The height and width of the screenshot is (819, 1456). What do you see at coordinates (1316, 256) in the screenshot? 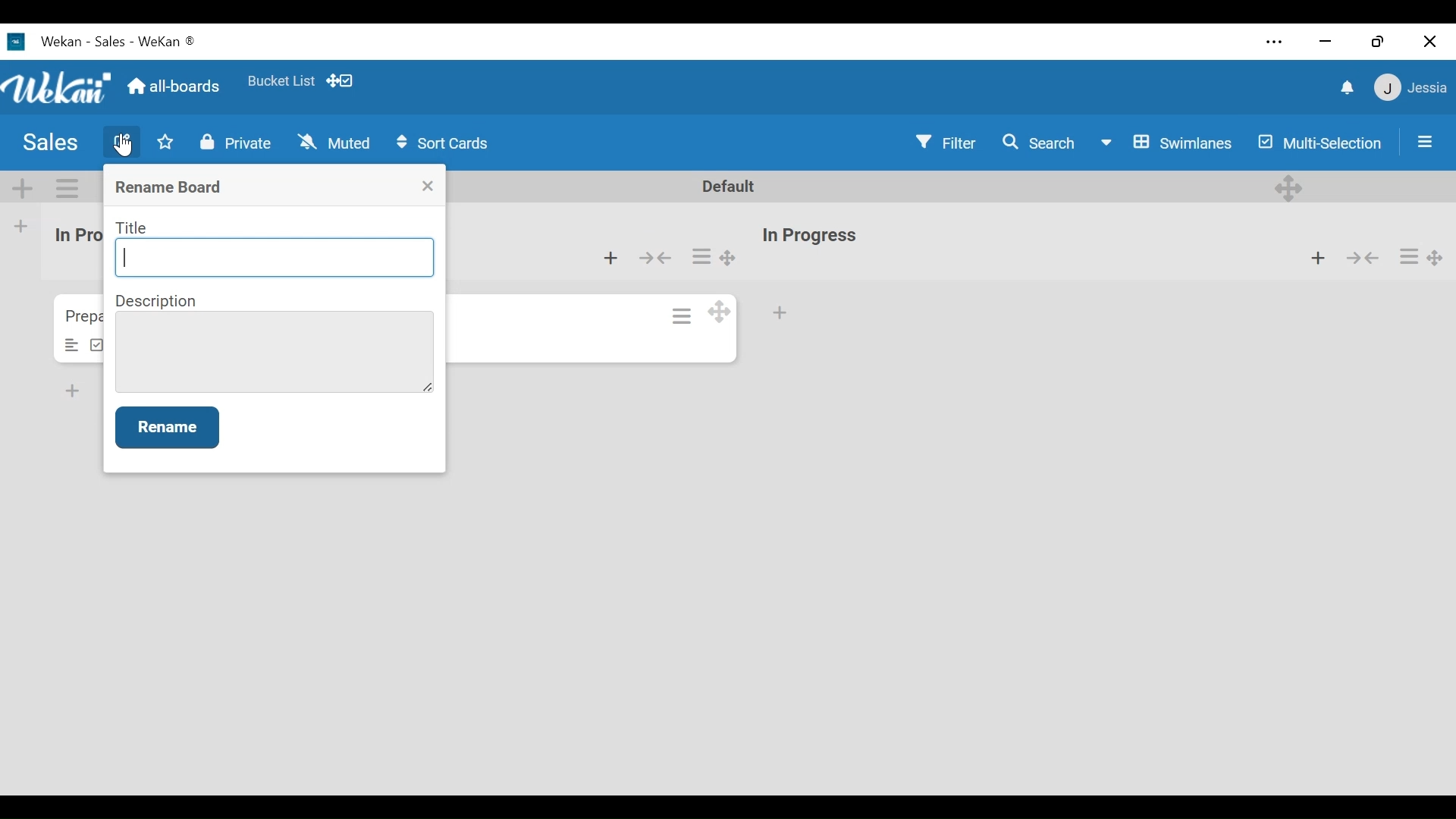
I see `Add card to the top of the list` at bounding box center [1316, 256].